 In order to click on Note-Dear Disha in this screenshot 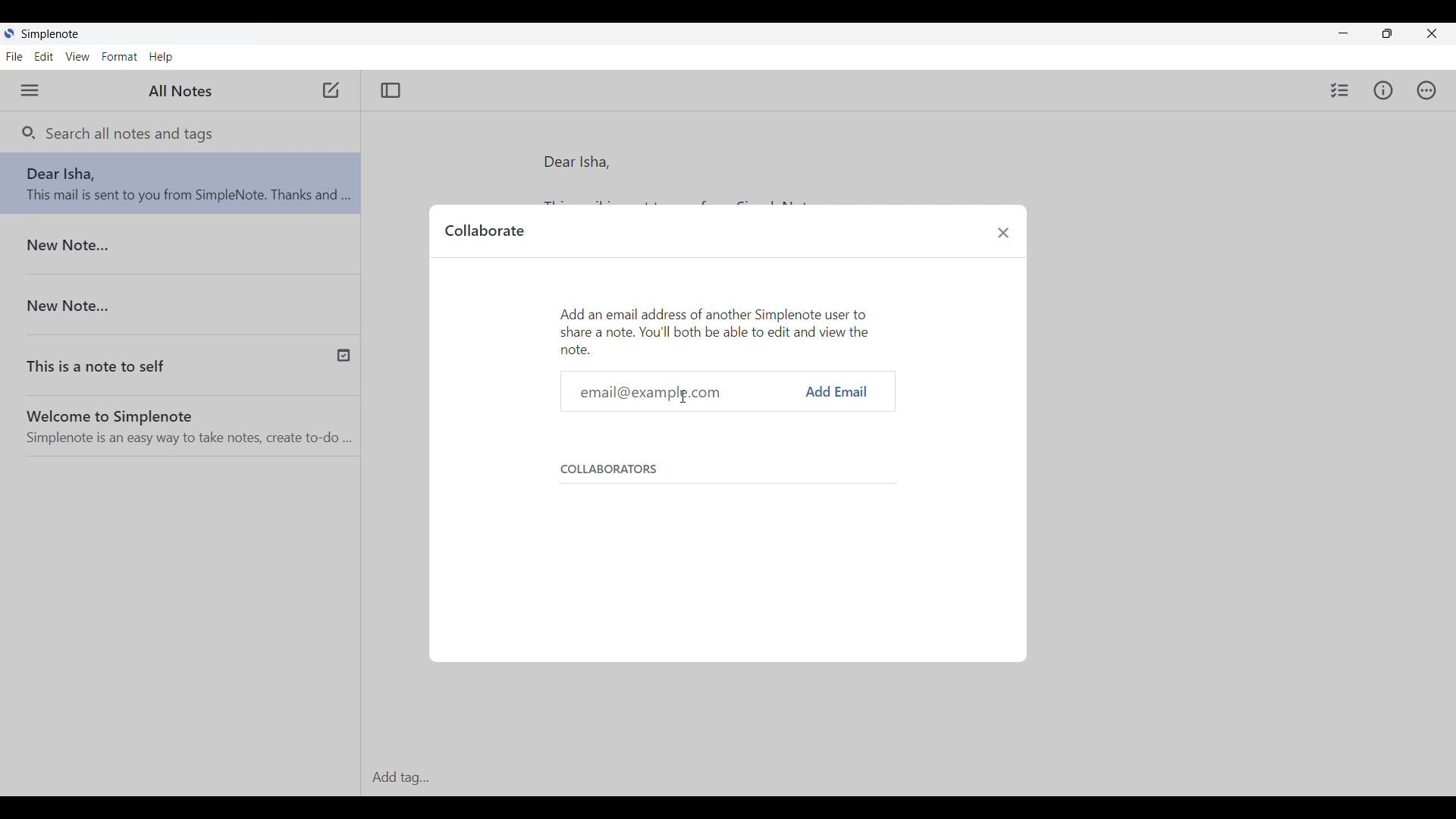, I will do `click(180, 186)`.